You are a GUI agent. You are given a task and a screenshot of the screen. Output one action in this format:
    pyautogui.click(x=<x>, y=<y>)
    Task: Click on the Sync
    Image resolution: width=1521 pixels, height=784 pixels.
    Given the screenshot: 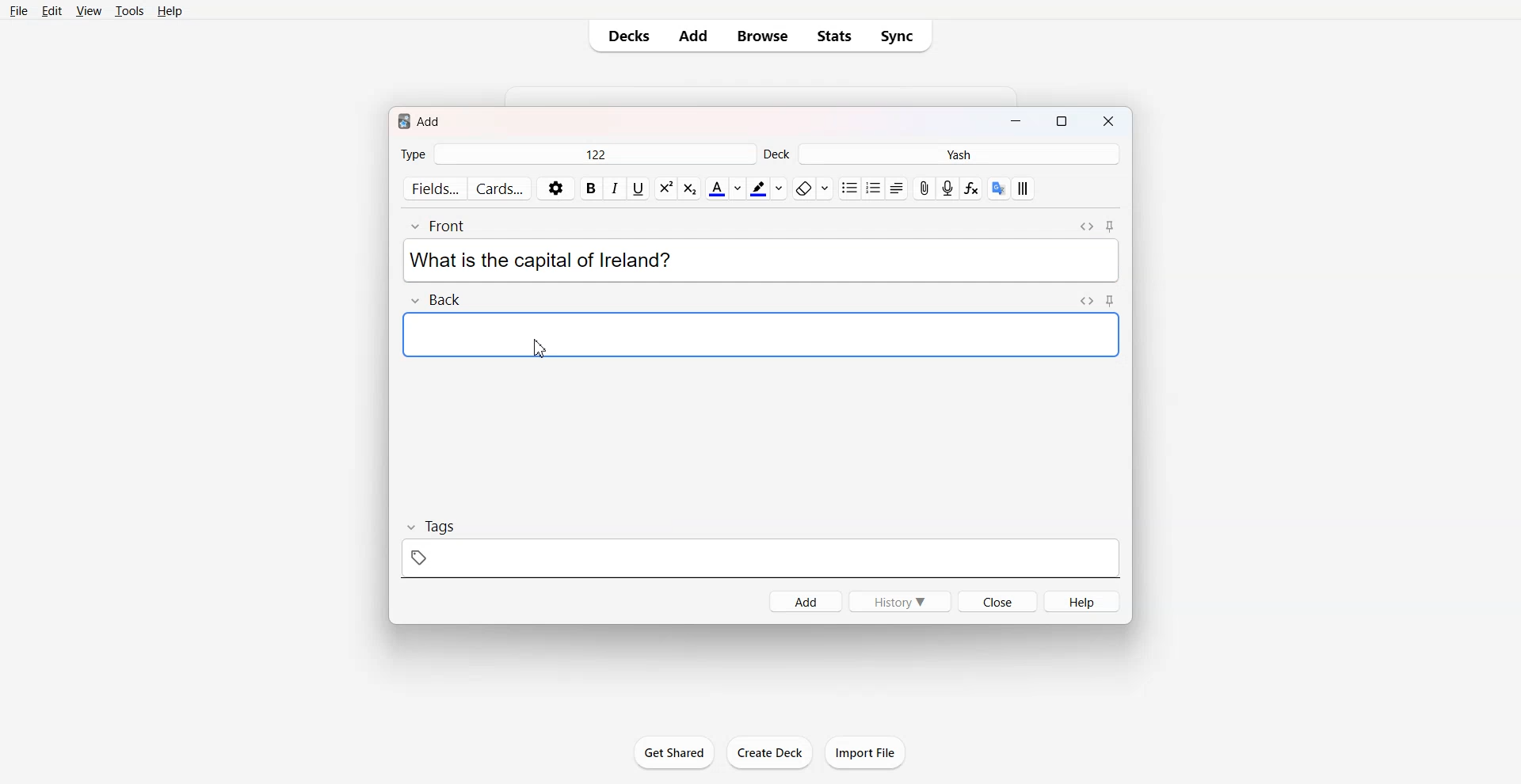 What is the action you would take?
    pyautogui.click(x=902, y=36)
    